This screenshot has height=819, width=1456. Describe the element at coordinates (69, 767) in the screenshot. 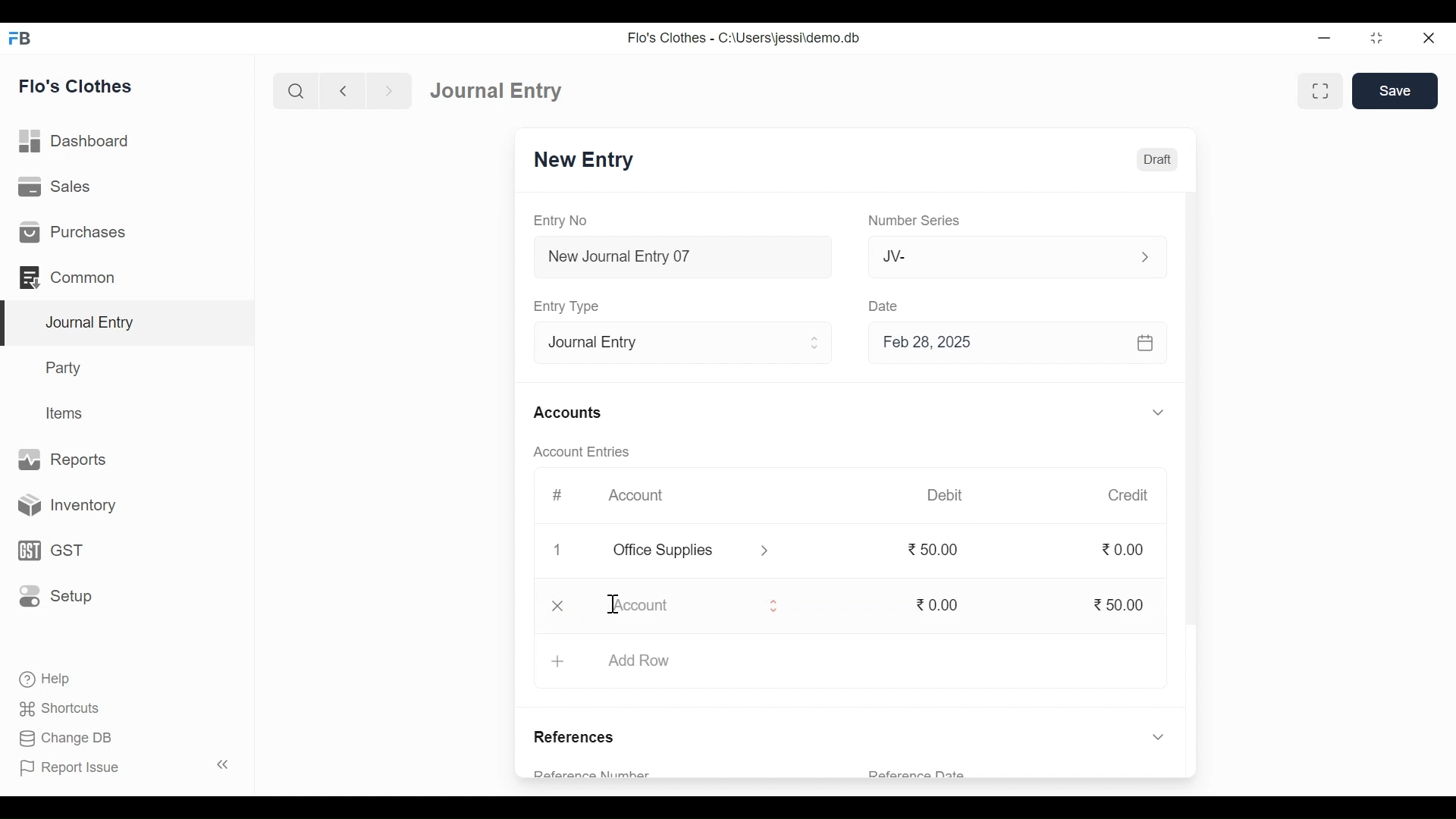

I see `Report Issue` at that location.